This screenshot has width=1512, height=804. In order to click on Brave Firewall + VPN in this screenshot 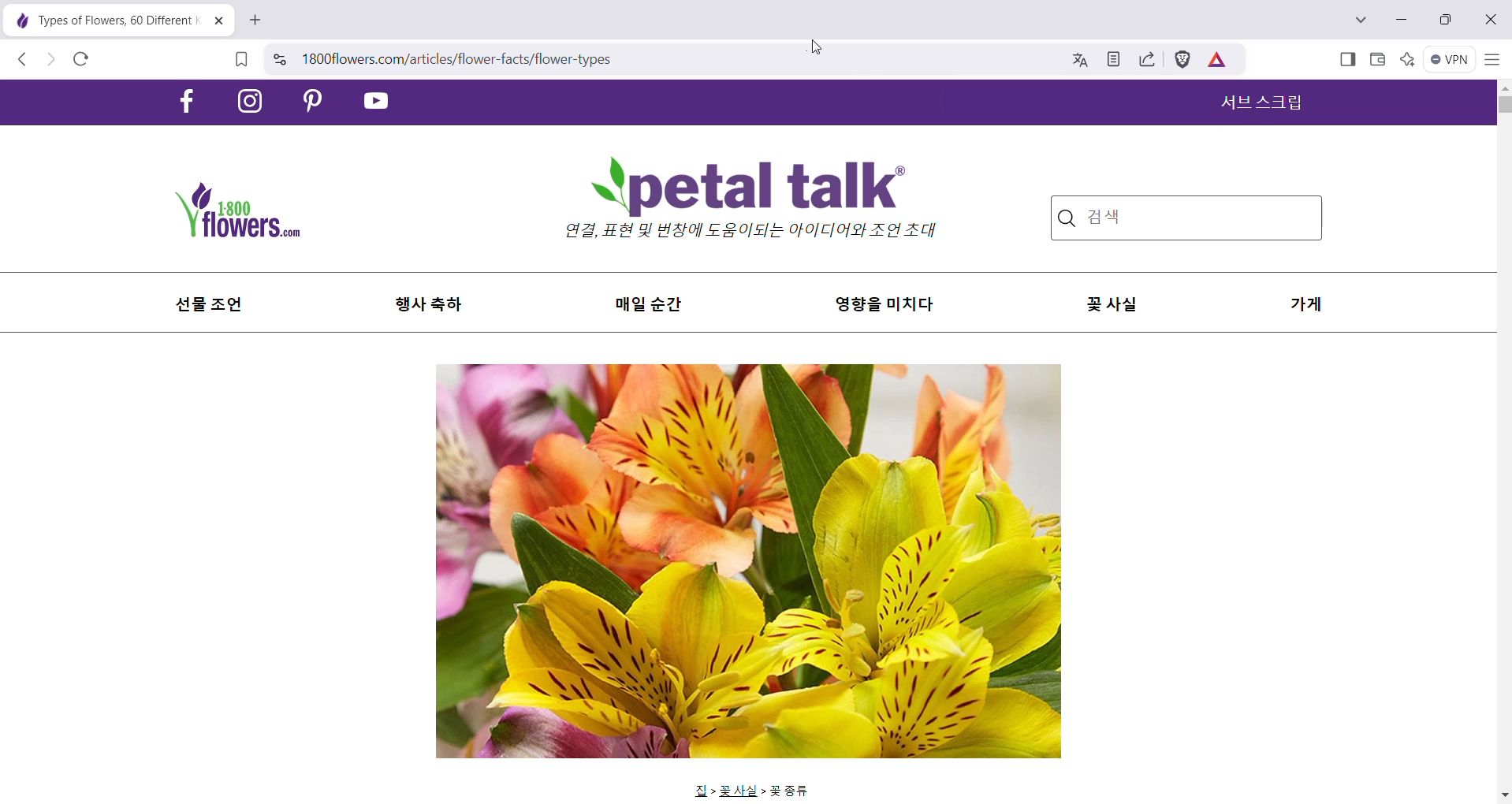, I will do `click(1451, 58)`.